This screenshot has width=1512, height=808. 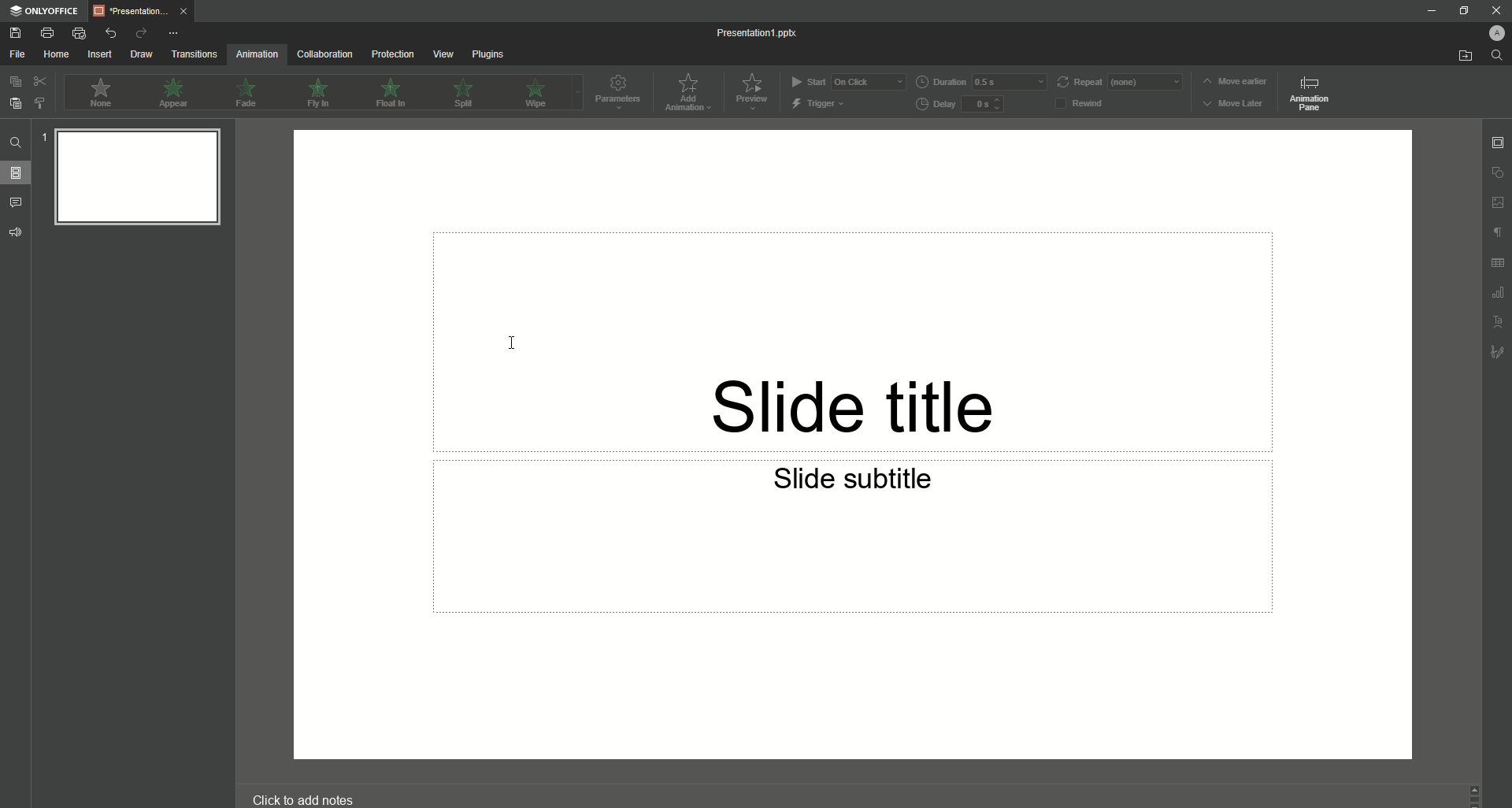 I want to click on Collaboration, so click(x=323, y=55).